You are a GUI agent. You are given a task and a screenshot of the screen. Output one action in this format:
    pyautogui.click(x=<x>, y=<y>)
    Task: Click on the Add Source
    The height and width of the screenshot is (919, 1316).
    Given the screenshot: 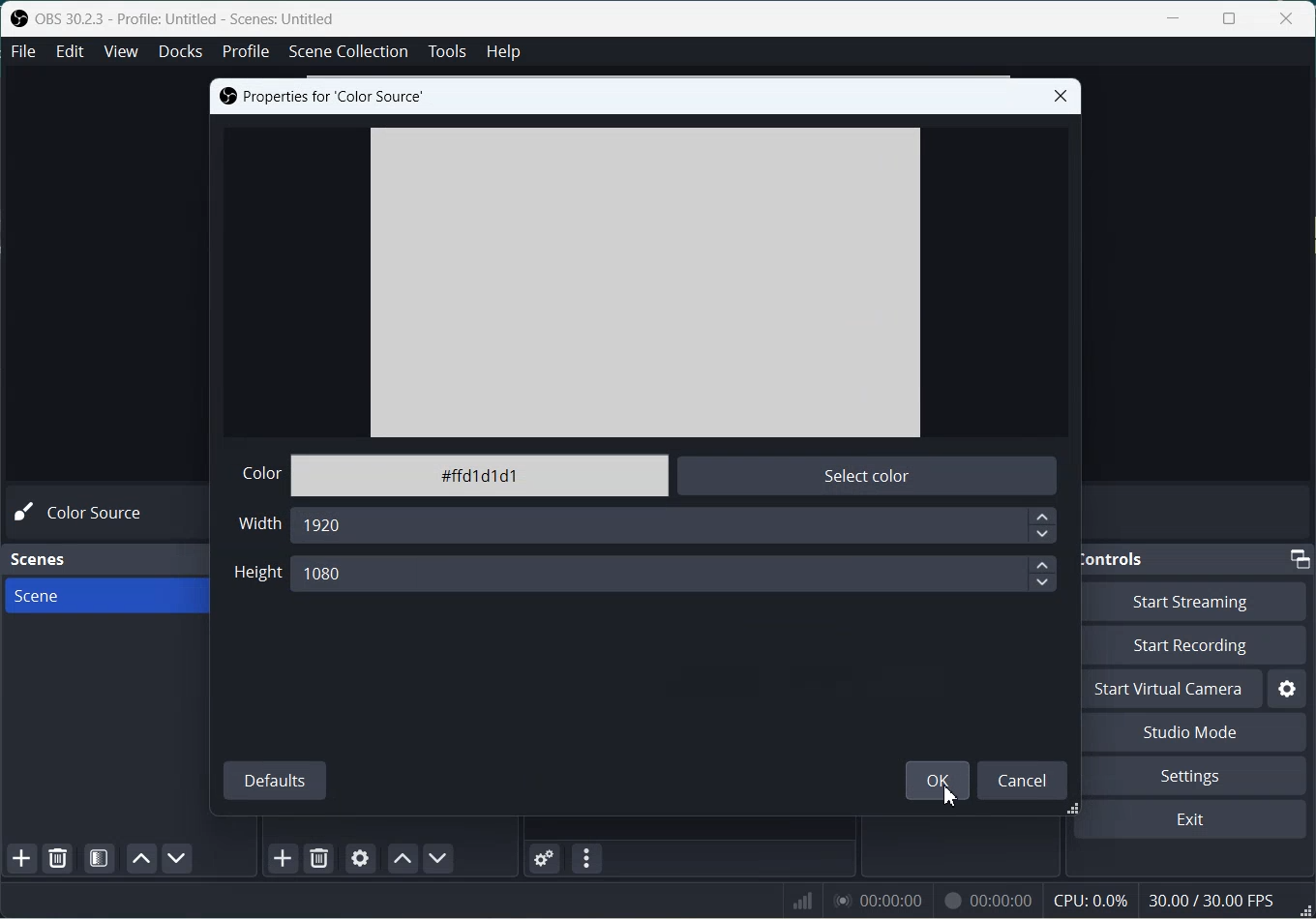 What is the action you would take?
    pyautogui.click(x=284, y=858)
    